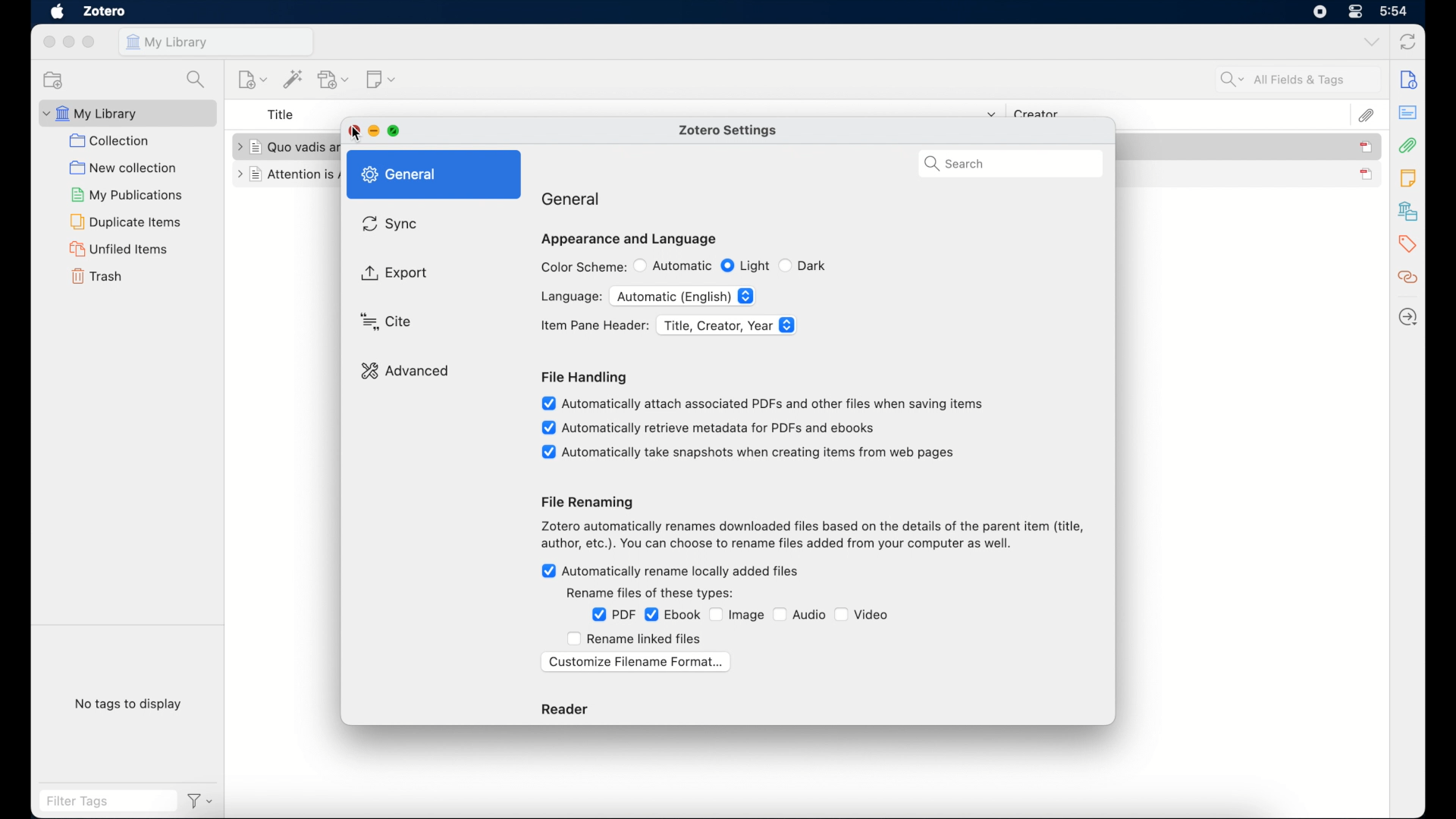  Describe the element at coordinates (127, 169) in the screenshot. I see `new collection` at that location.